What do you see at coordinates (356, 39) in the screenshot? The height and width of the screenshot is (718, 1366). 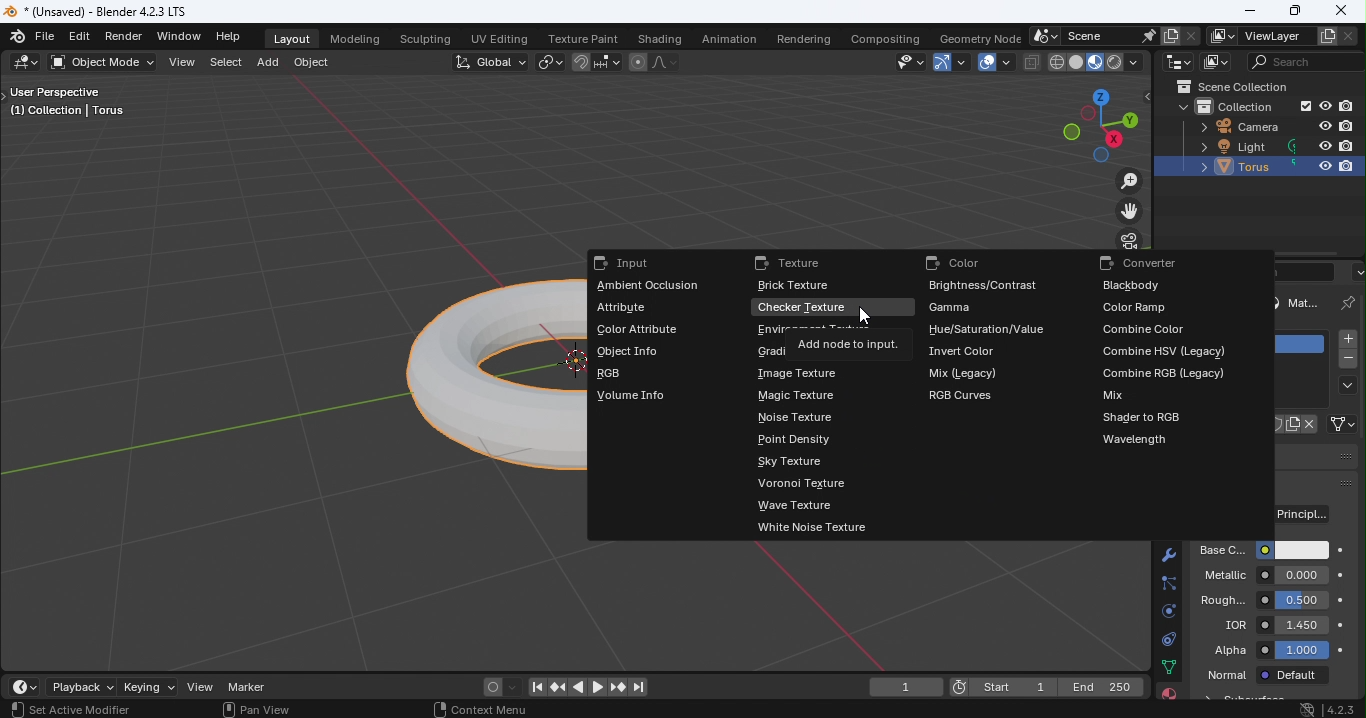 I see `Modeling` at bounding box center [356, 39].